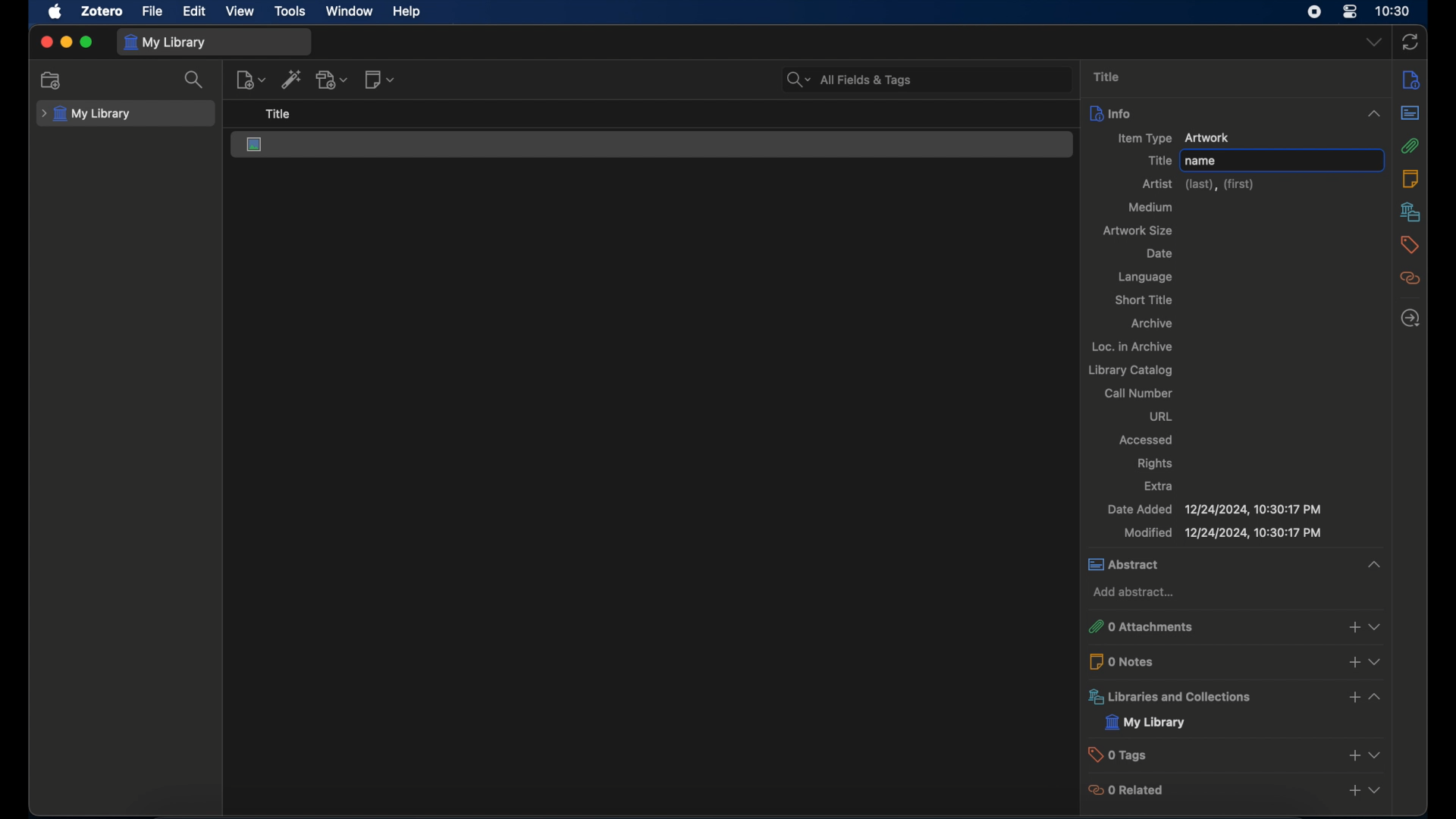  Describe the element at coordinates (1147, 439) in the screenshot. I see `accessed` at that location.